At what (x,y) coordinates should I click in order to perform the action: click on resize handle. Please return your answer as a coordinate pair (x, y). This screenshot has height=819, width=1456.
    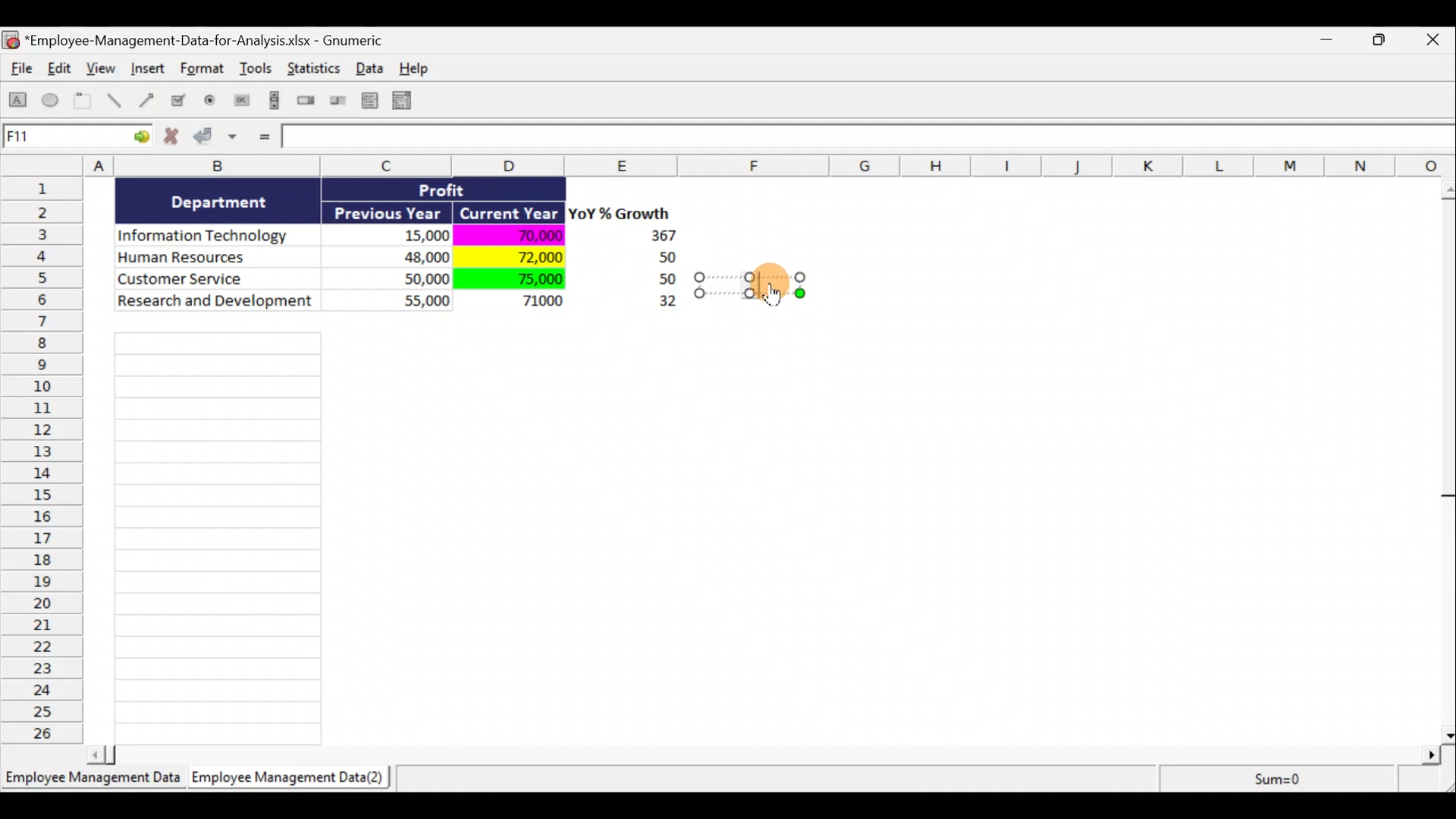
    Looking at the image, I should click on (750, 284).